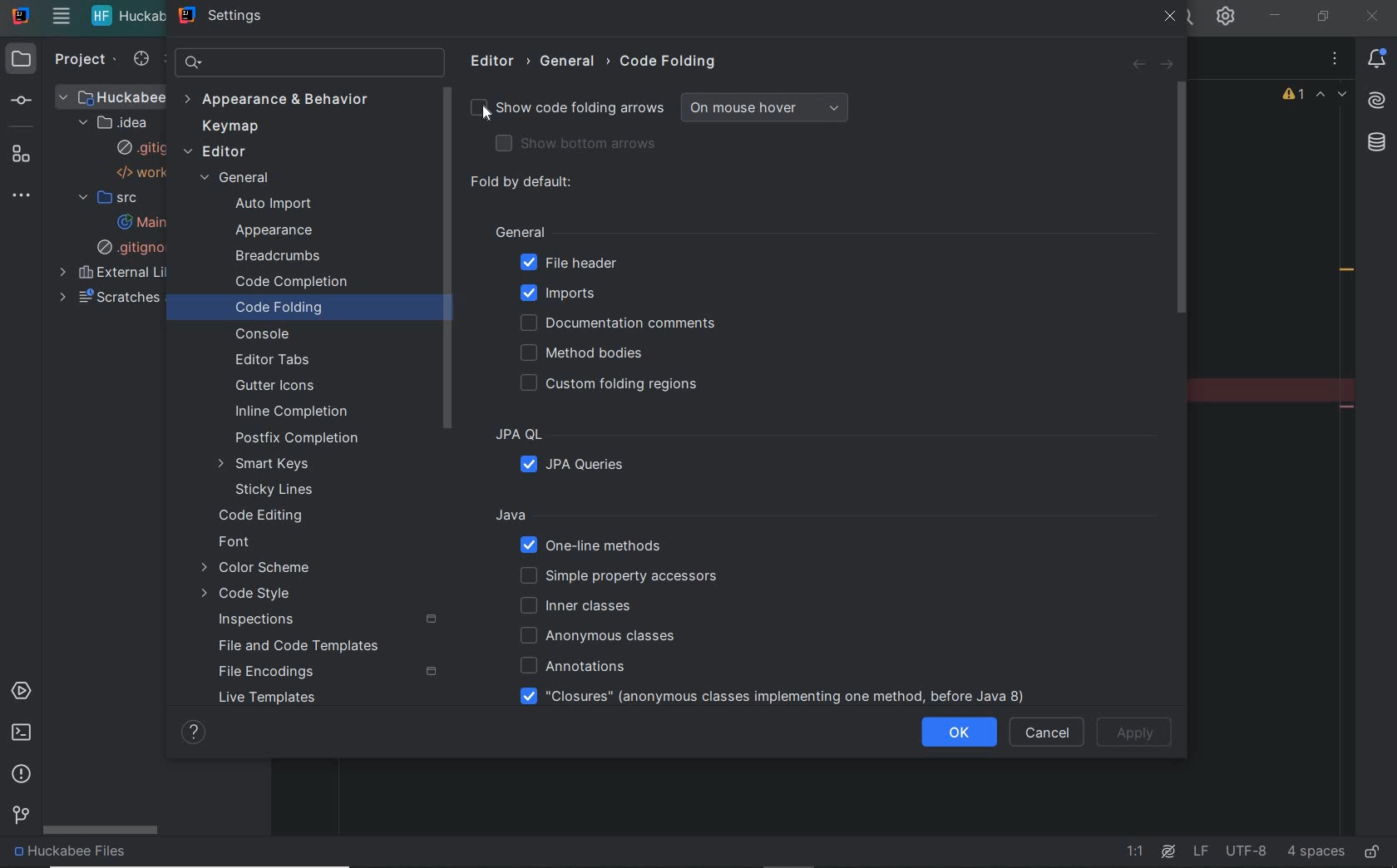 This screenshot has height=868, width=1397. I want to click on inline completion, so click(295, 411).